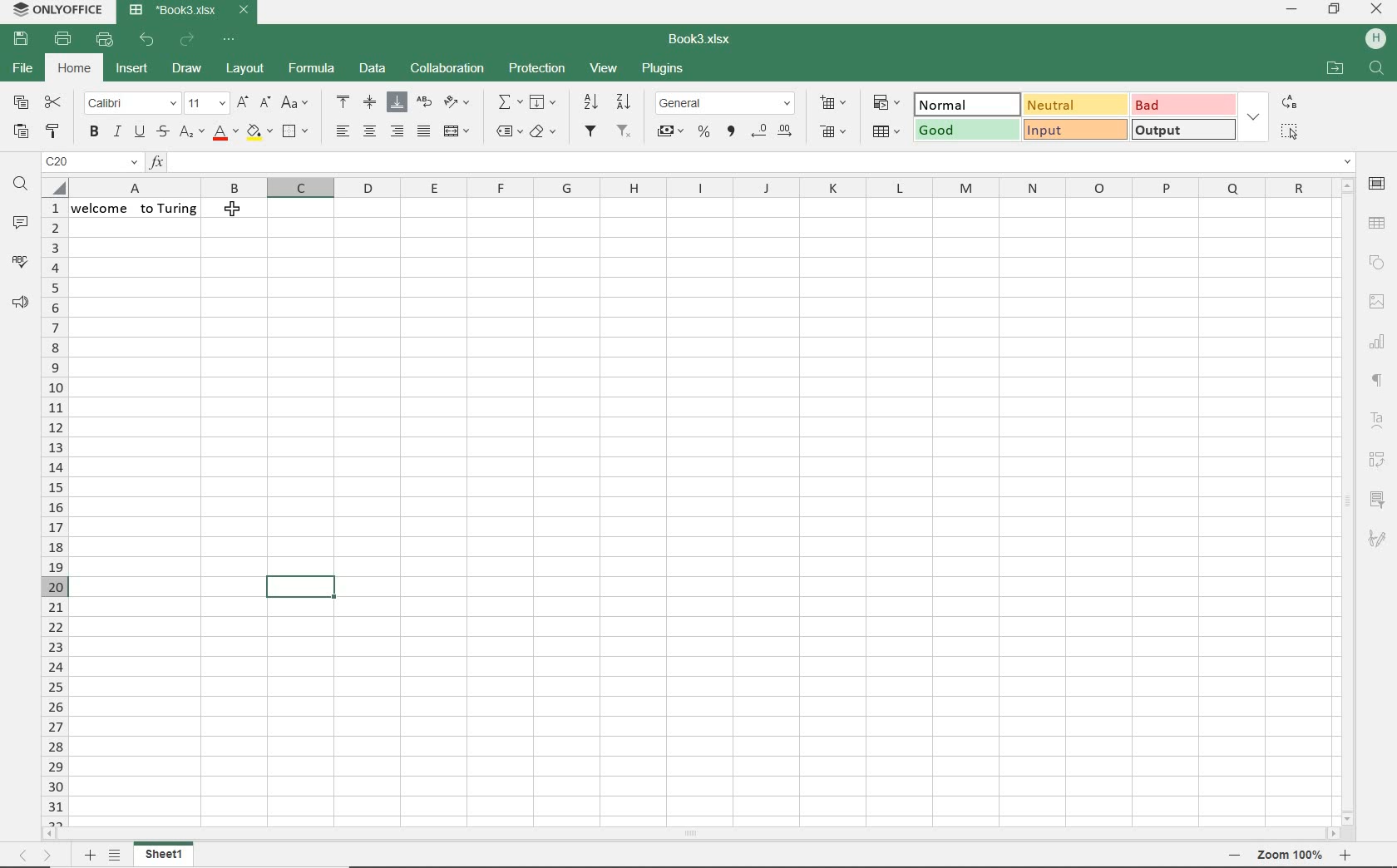 The height and width of the screenshot is (868, 1397). What do you see at coordinates (56, 11) in the screenshot?
I see `system name` at bounding box center [56, 11].